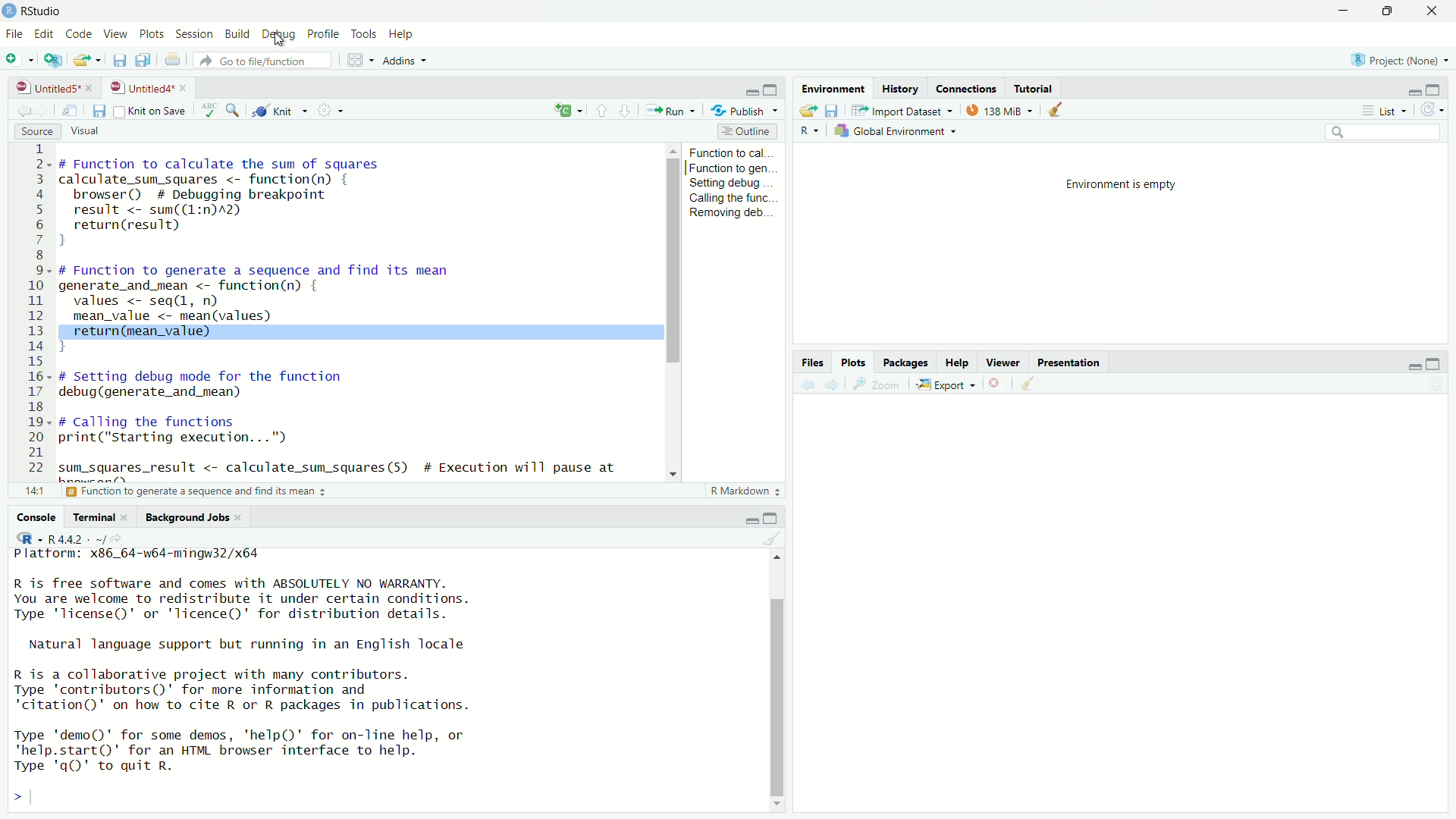  What do you see at coordinates (238, 33) in the screenshot?
I see `build` at bounding box center [238, 33].